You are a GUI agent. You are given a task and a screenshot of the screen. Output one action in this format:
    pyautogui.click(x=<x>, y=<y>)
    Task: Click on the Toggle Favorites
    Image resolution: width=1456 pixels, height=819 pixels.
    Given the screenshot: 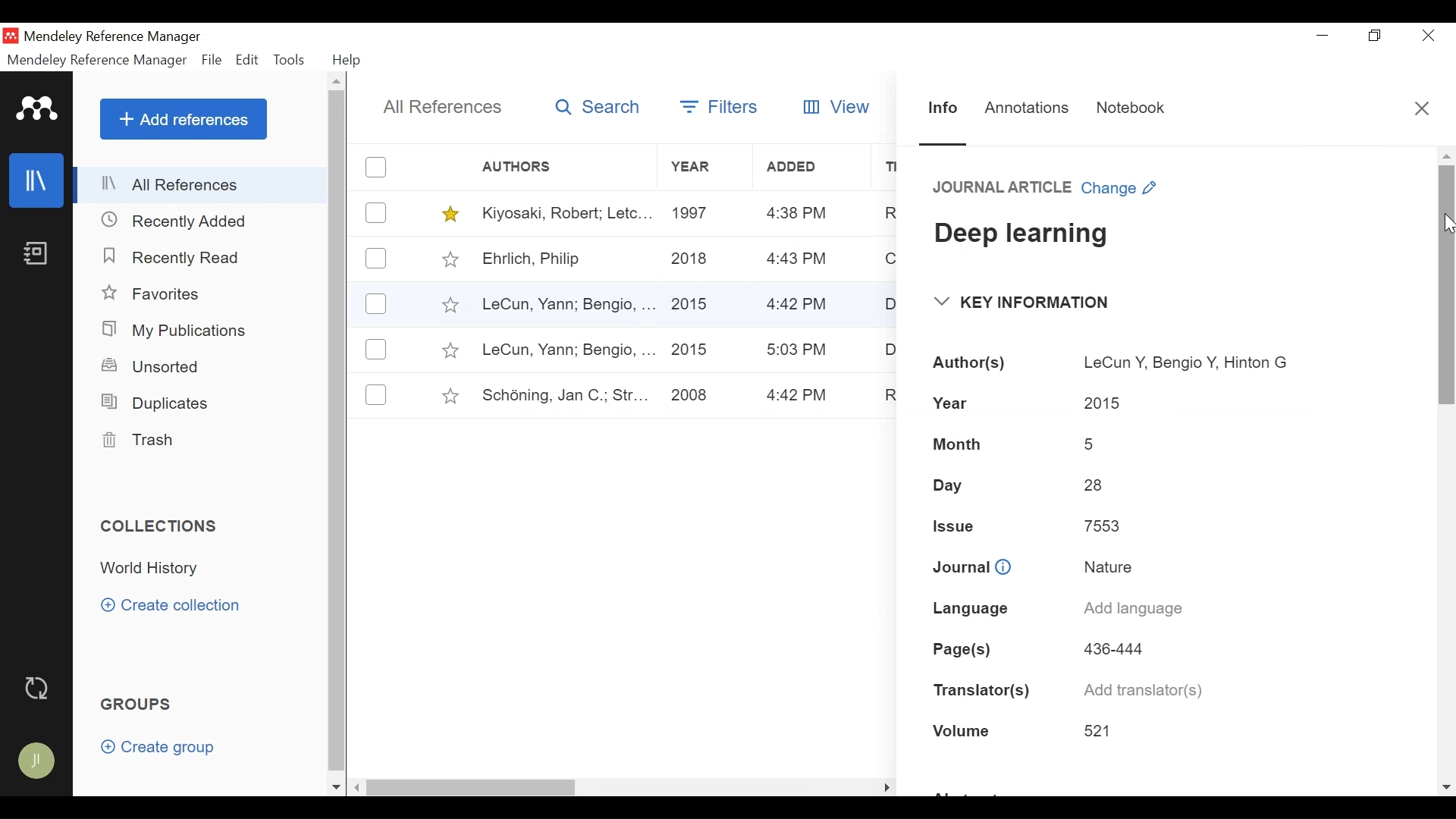 What is the action you would take?
    pyautogui.click(x=451, y=214)
    